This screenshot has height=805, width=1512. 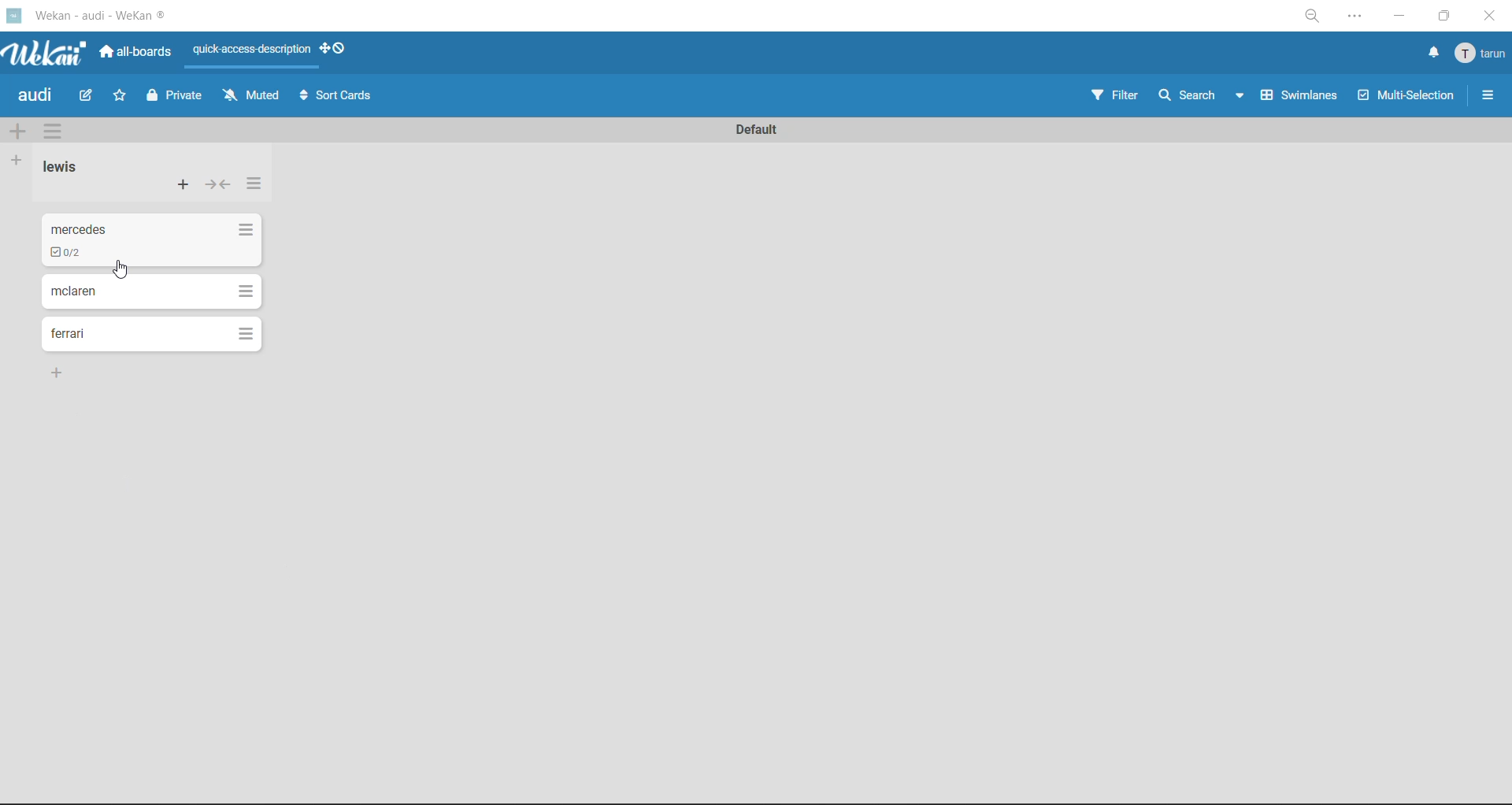 I want to click on show desktop drag handles, so click(x=338, y=50).